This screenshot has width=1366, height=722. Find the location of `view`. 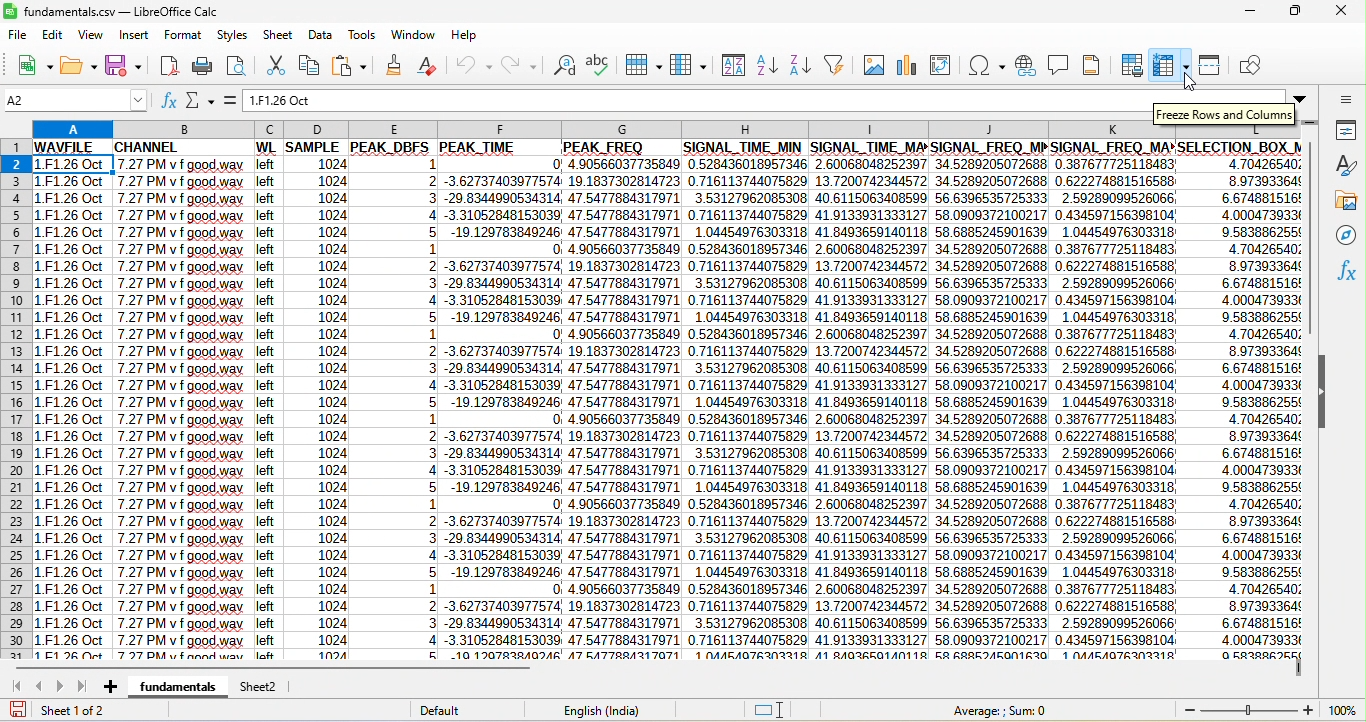

view is located at coordinates (94, 37).